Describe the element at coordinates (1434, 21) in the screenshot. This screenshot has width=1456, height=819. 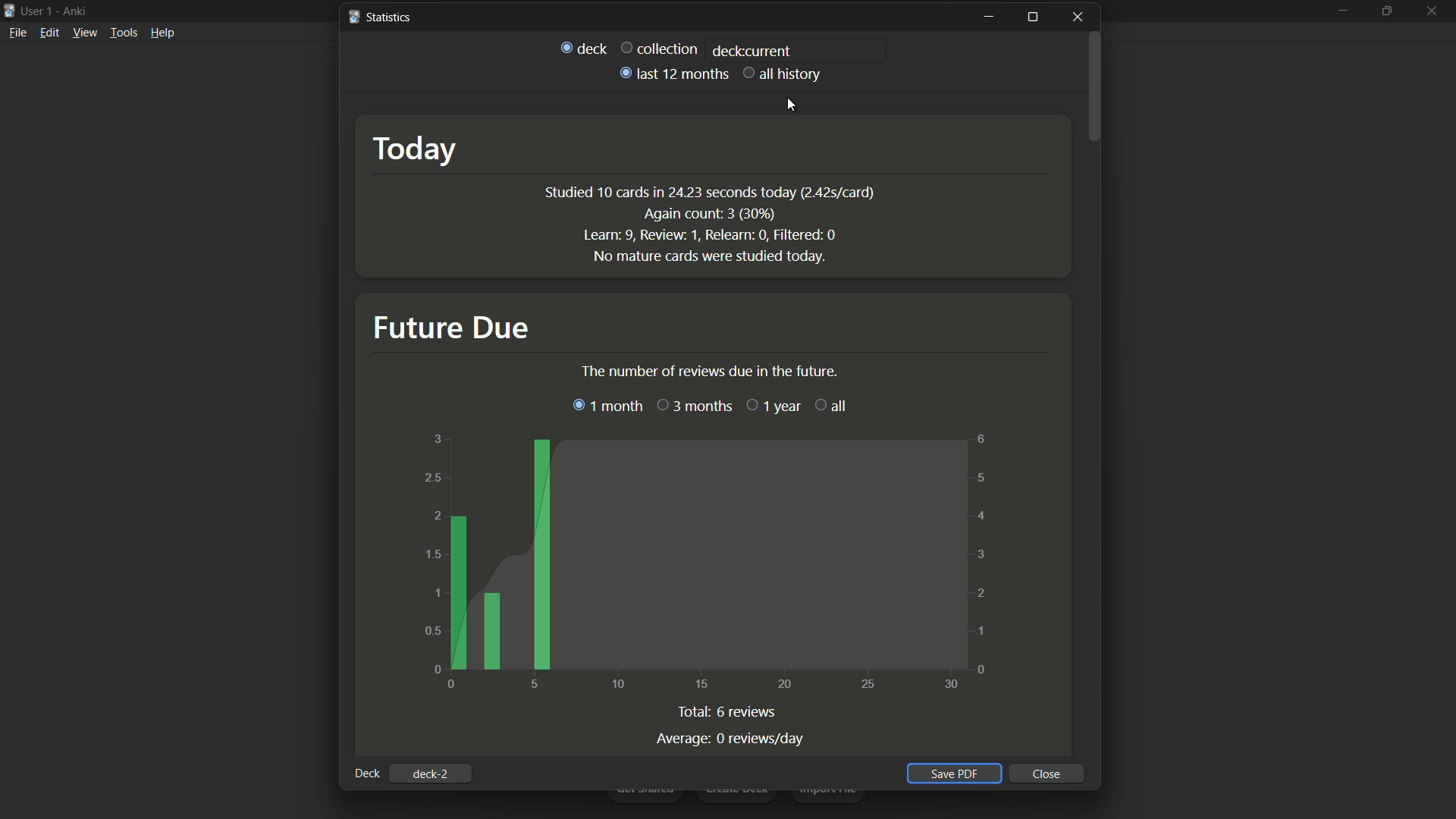
I see `Close app` at that location.